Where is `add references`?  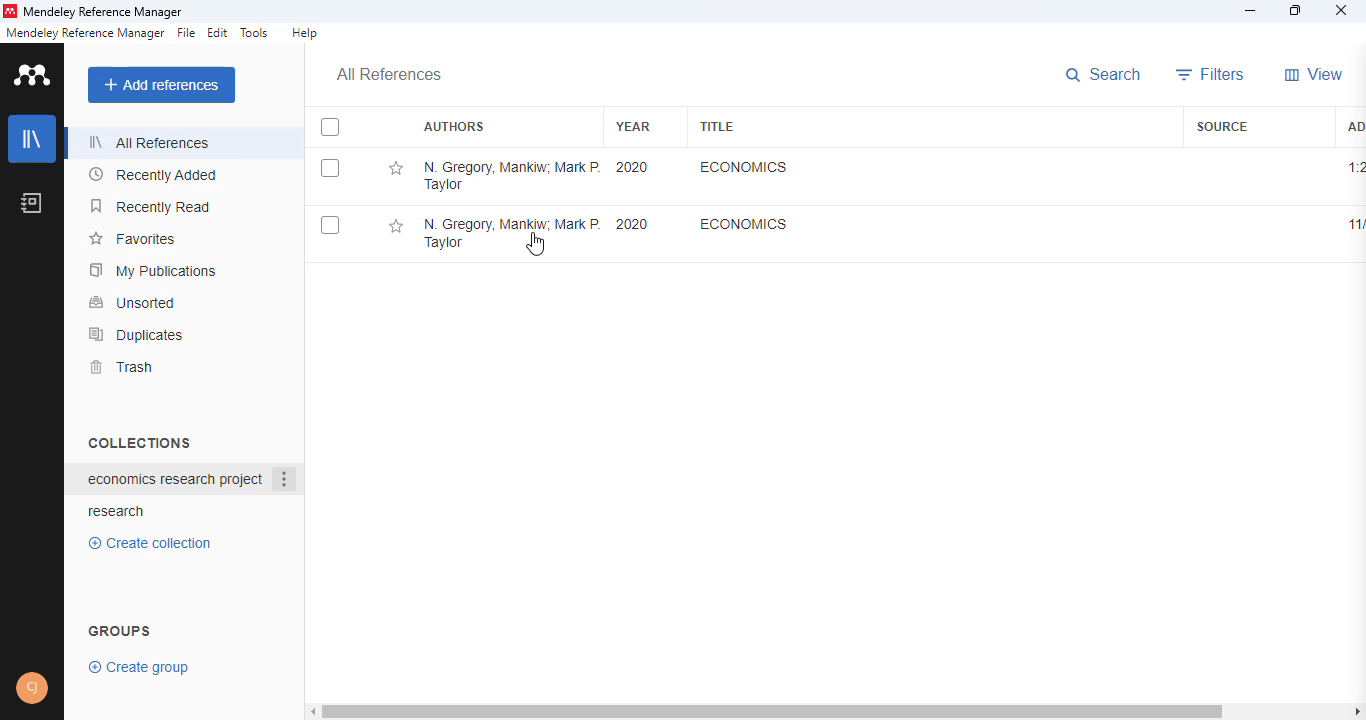 add references is located at coordinates (162, 85).